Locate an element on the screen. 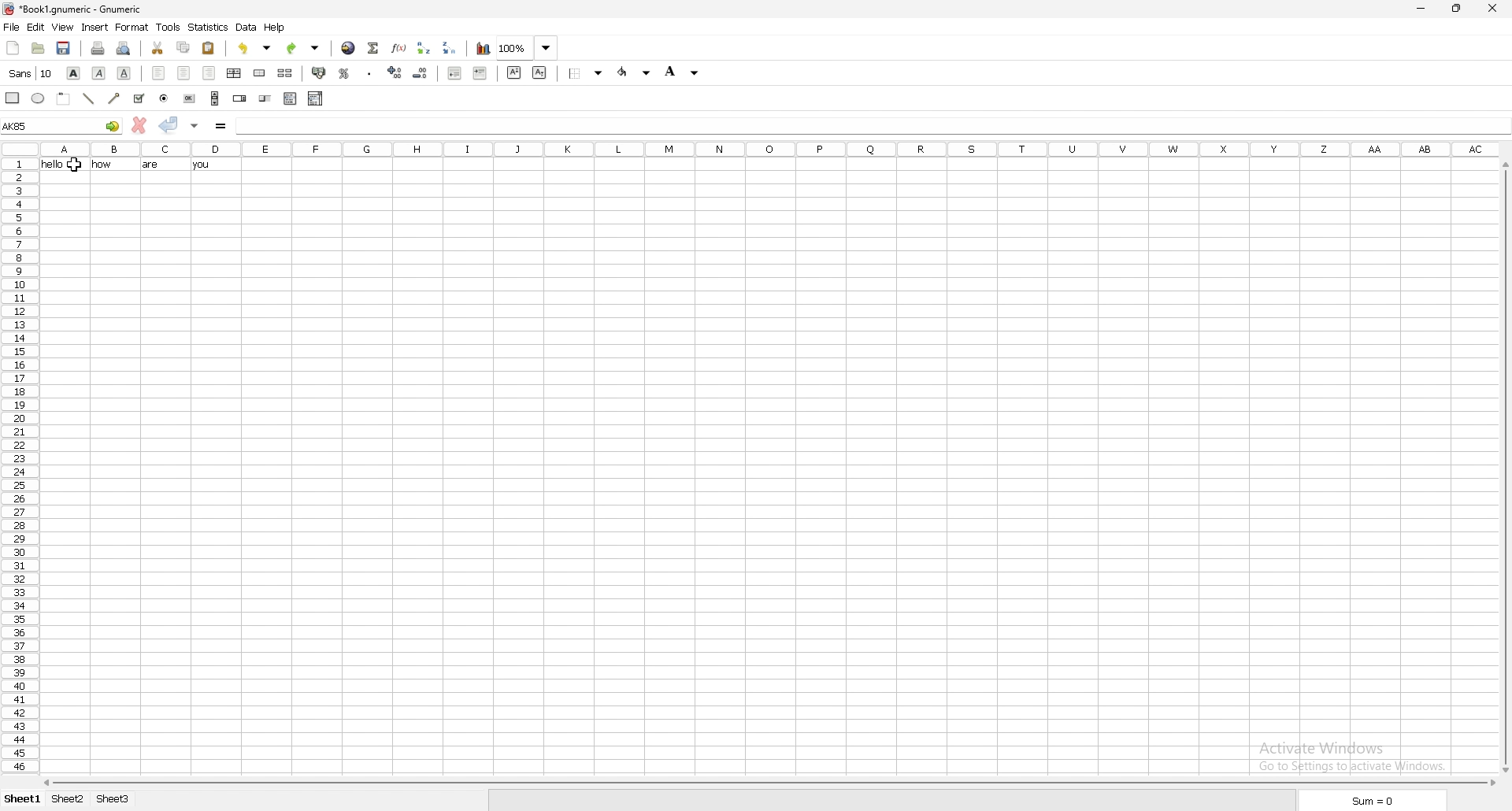  insert is located at coordinates (96, 26).